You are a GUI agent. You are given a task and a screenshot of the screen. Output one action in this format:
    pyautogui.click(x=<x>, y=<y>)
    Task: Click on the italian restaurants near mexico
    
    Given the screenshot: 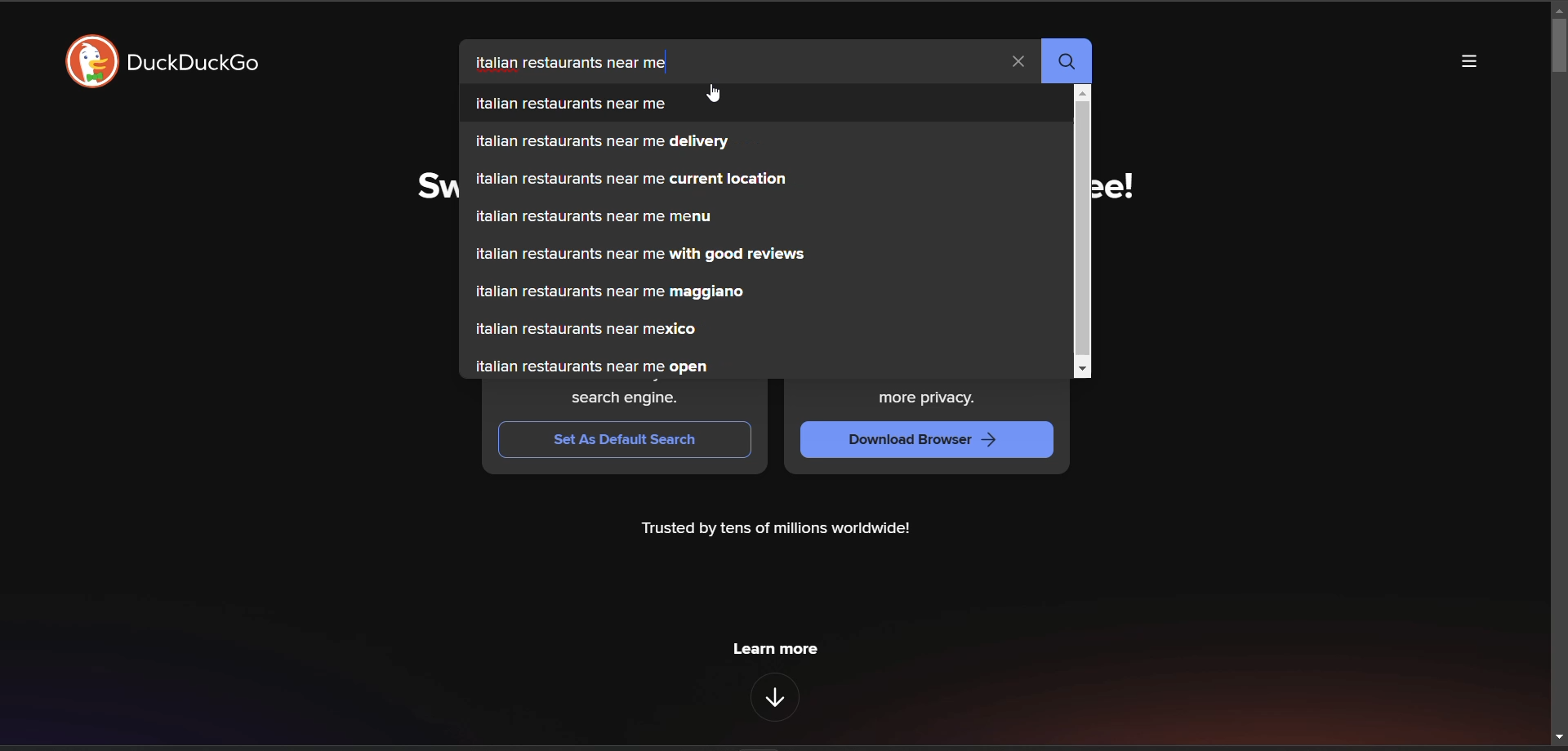 What is the action you would take?
    pyautogui.click(x=764, y=329)
    